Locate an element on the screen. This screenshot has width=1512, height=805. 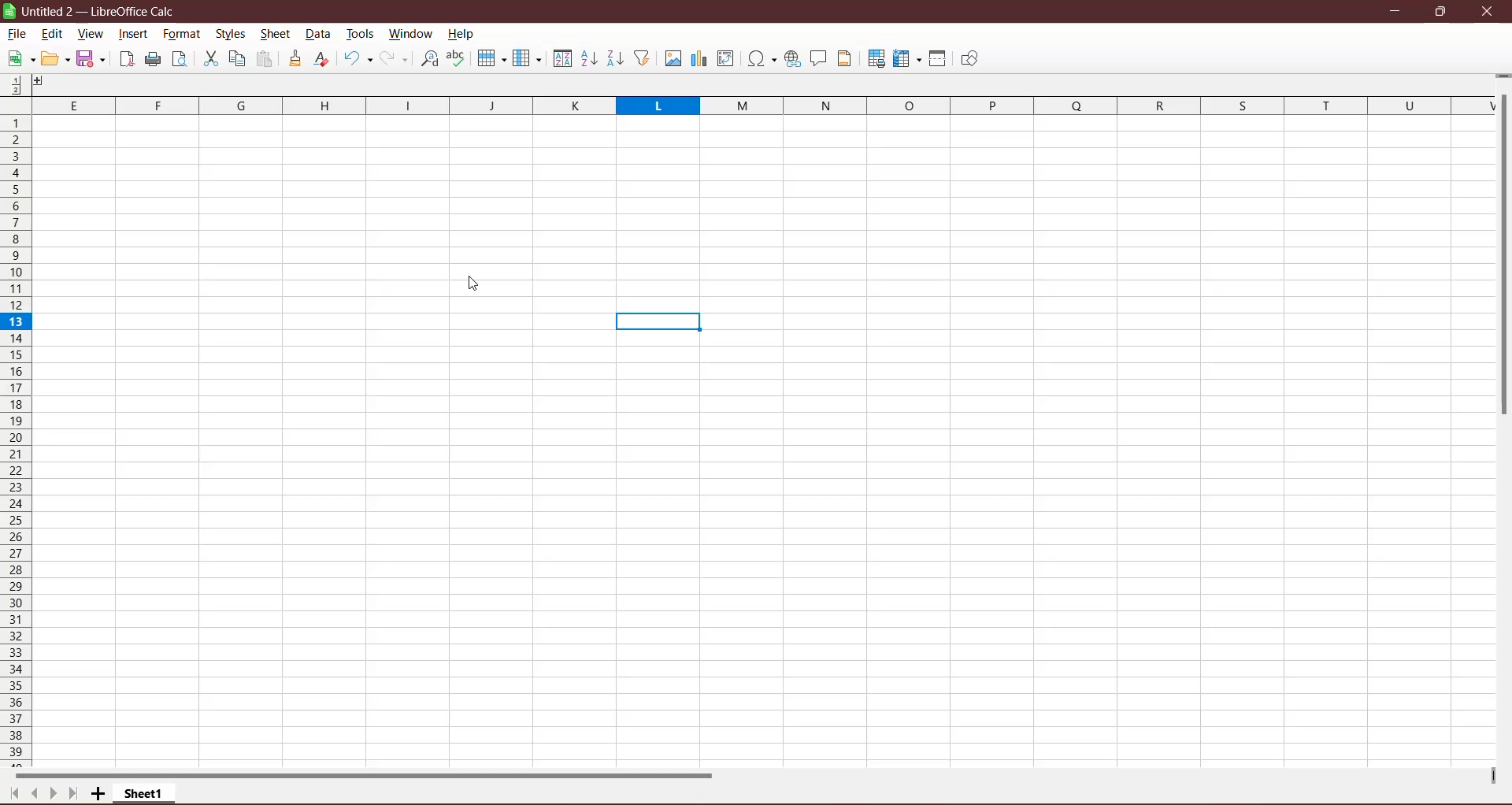
Copy is located at coordinates (237, 58).